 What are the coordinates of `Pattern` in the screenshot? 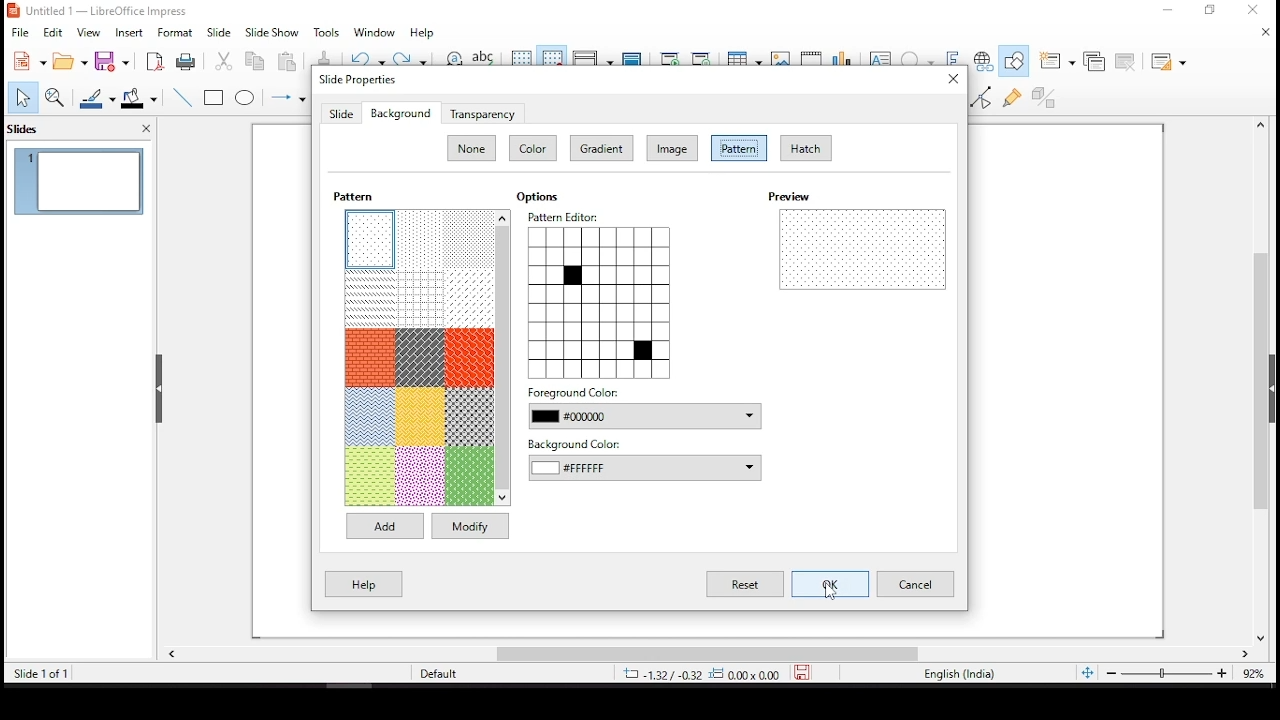 It's located at (355, 197).